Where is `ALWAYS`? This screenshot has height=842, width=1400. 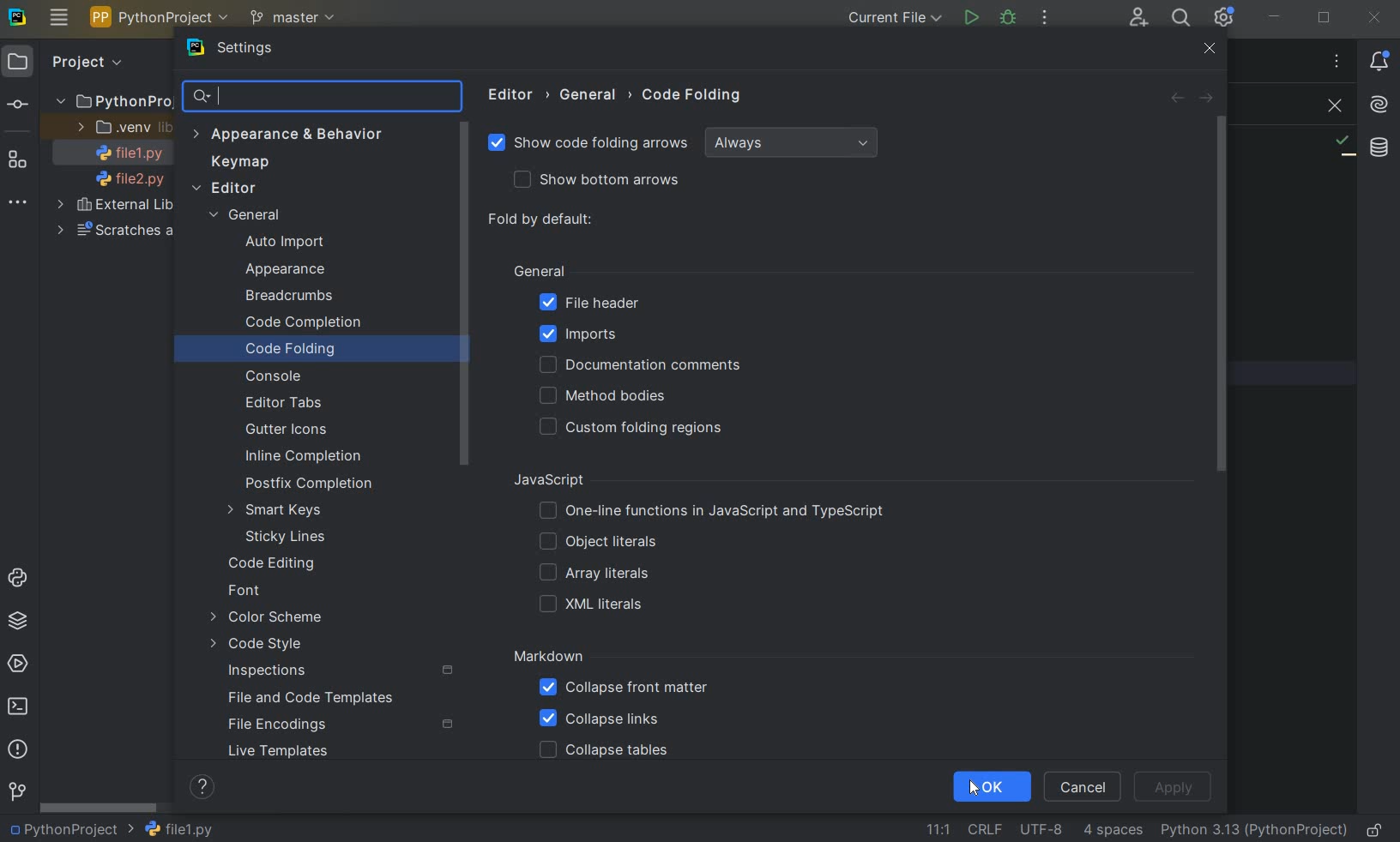 ALWAYS is located at coordinates (795, 143).